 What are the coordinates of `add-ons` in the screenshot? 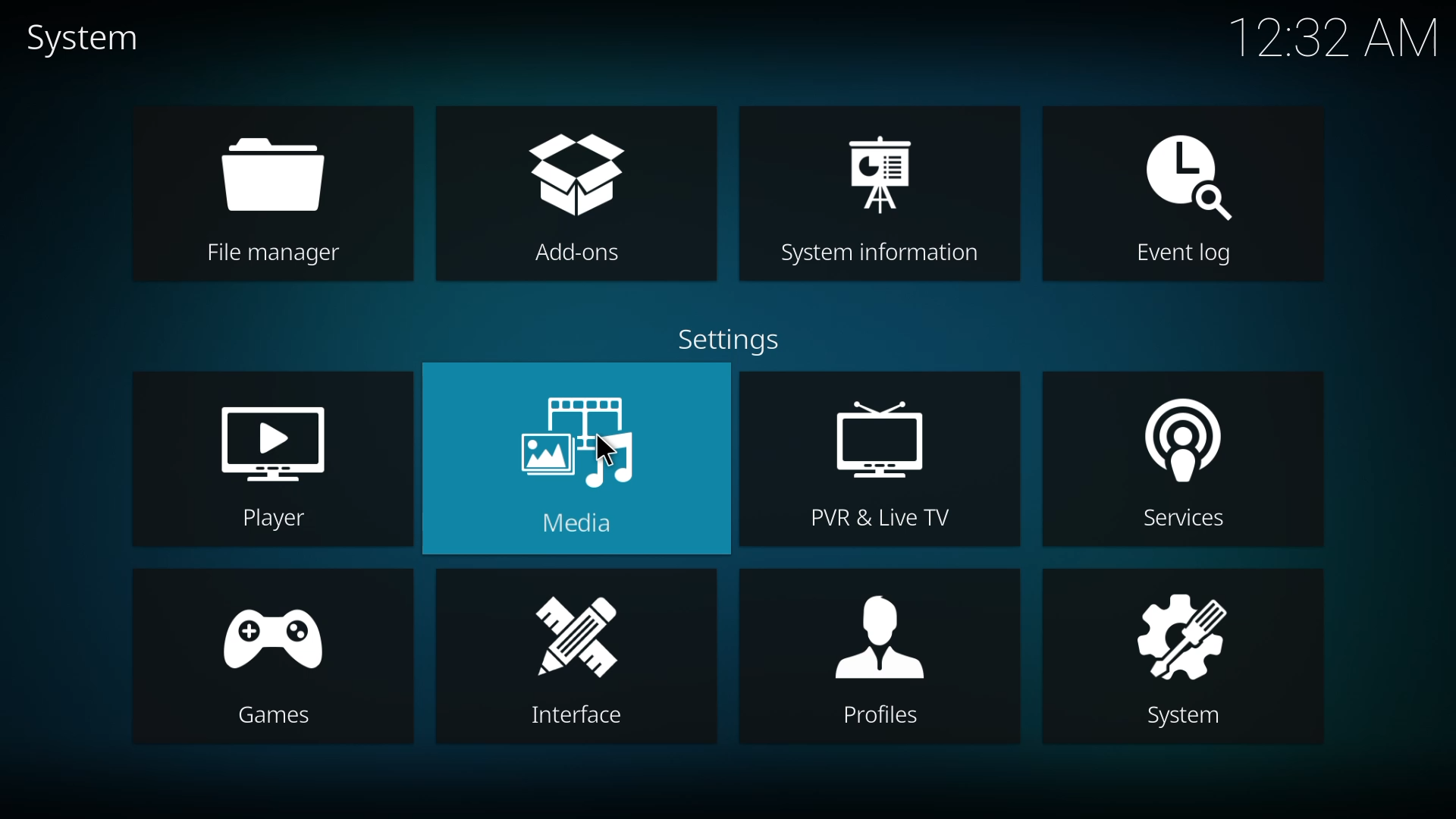 It's located at (579, 193).